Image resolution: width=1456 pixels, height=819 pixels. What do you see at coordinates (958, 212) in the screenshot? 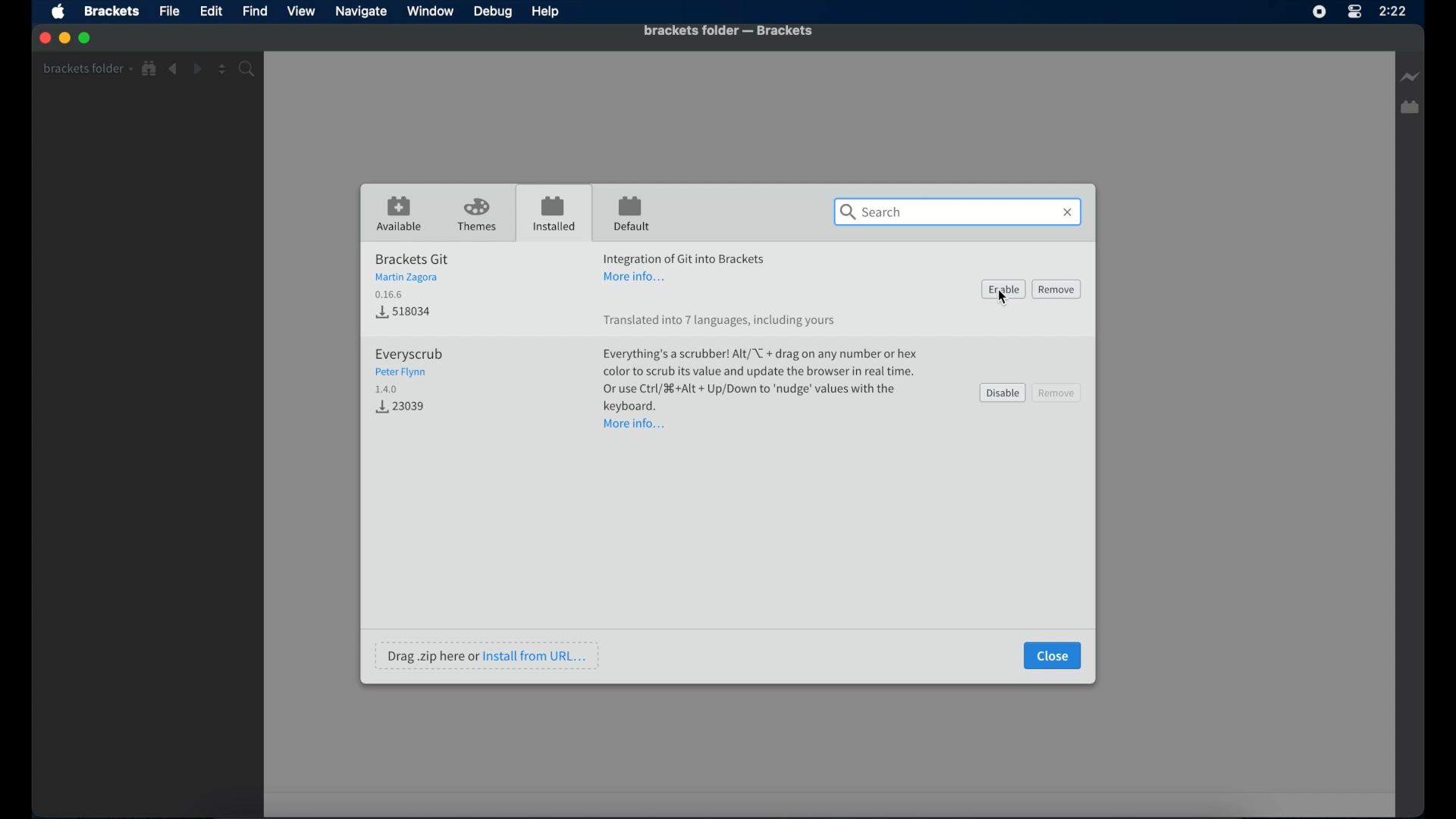
I see `search bar` at bounding box center [958, 212].